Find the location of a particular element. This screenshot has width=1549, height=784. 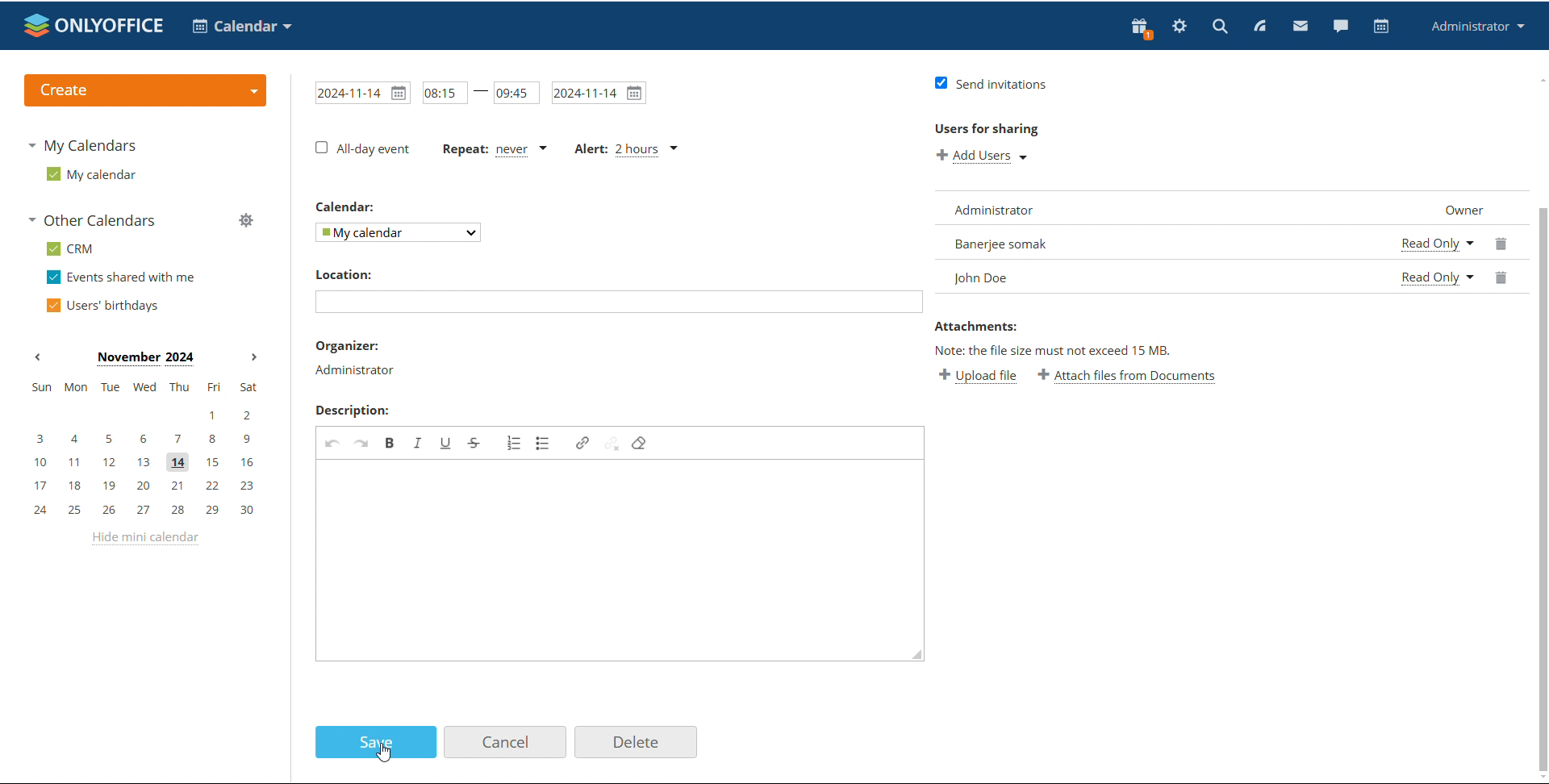

search is located at coordinates (1220, 25).